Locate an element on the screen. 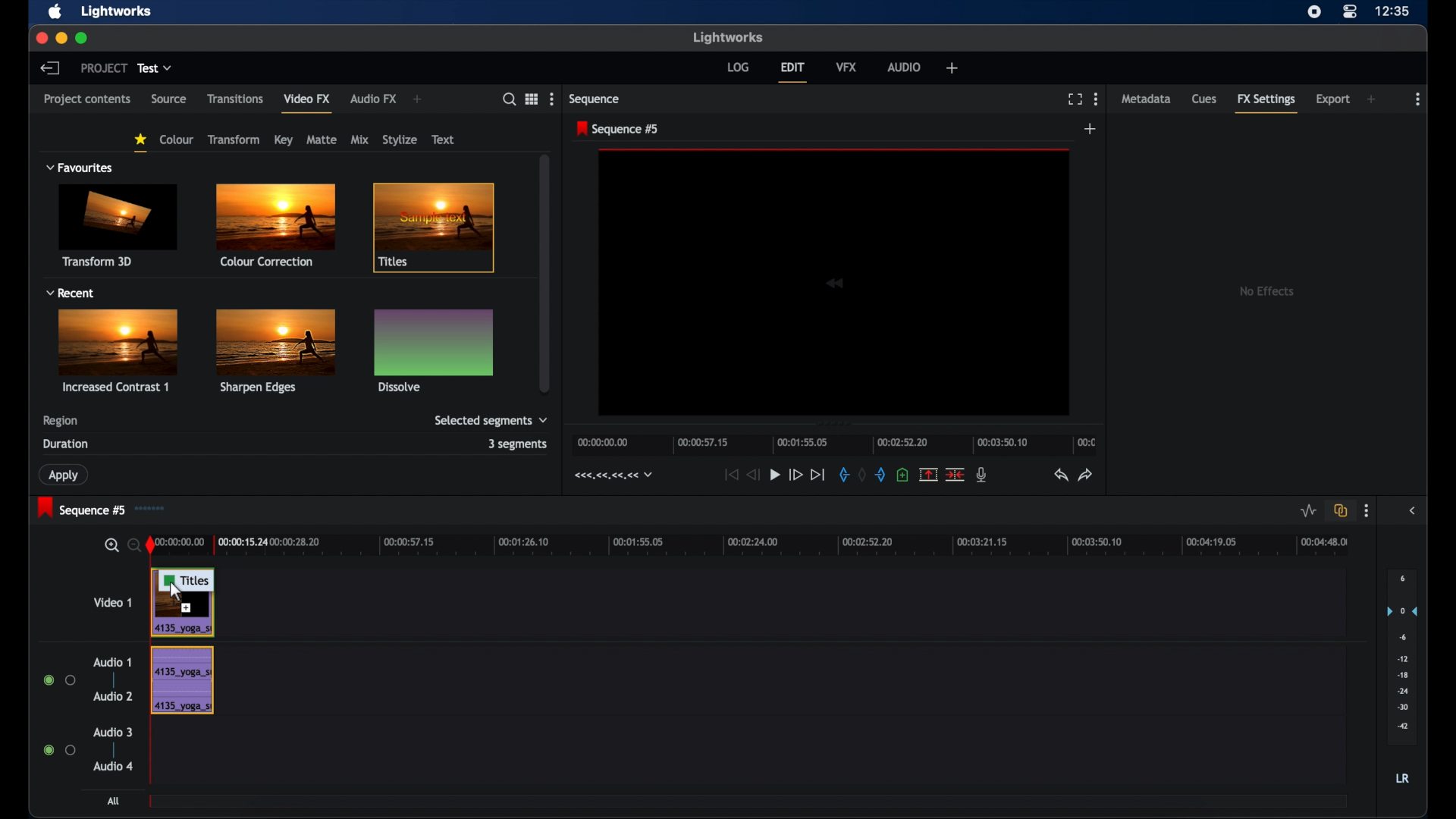 The width and height of the screenshot is (1456, 819). more options is located at coordinates (1366, 511).